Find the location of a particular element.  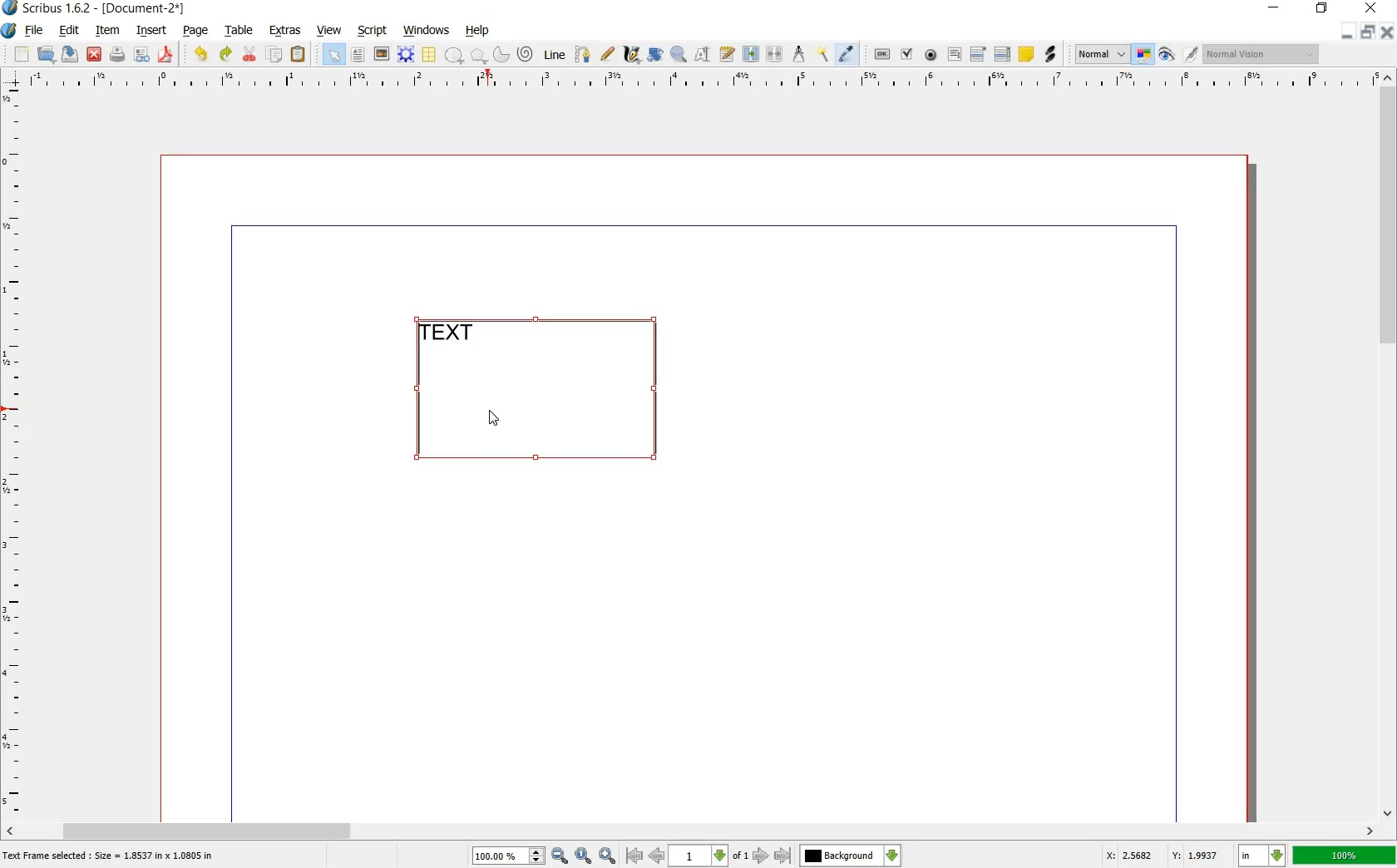

ruler is located at coordinates (14, 452).